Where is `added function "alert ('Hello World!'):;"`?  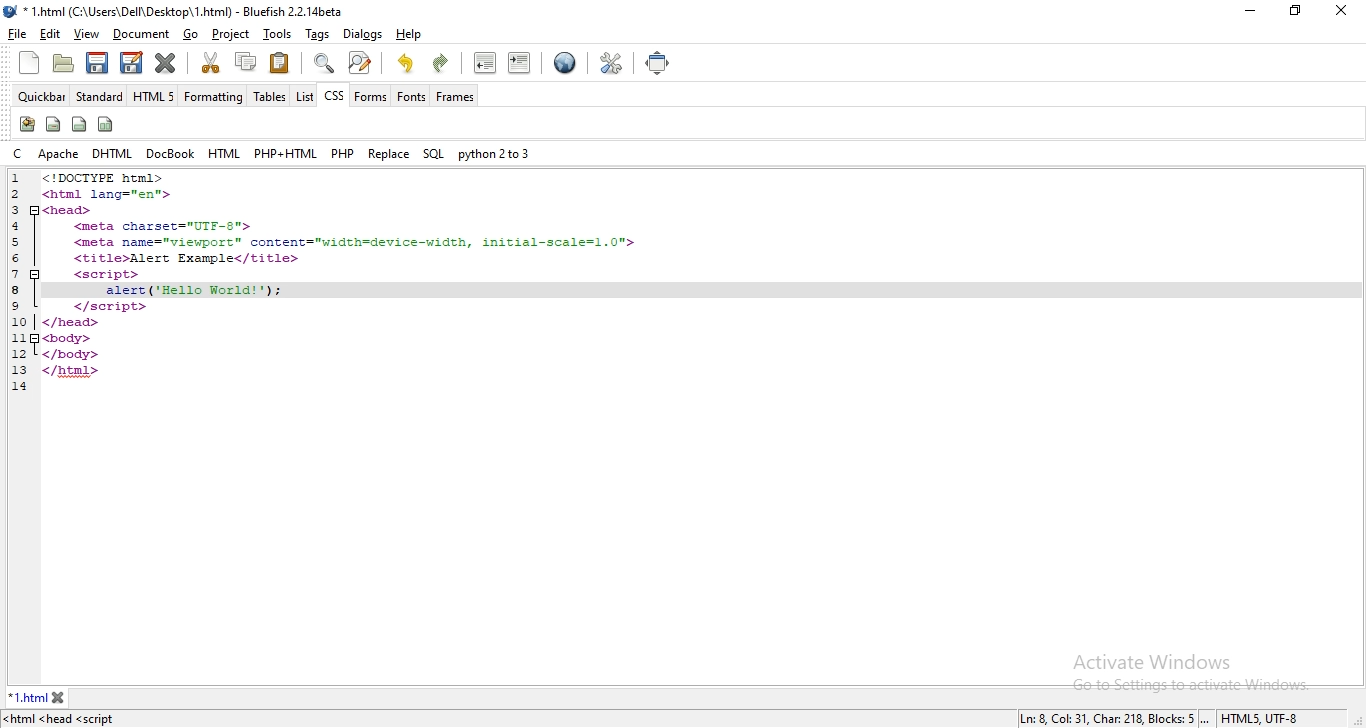 added function "alert ('Hello World!'):;" is located at coordinates (194, 290).